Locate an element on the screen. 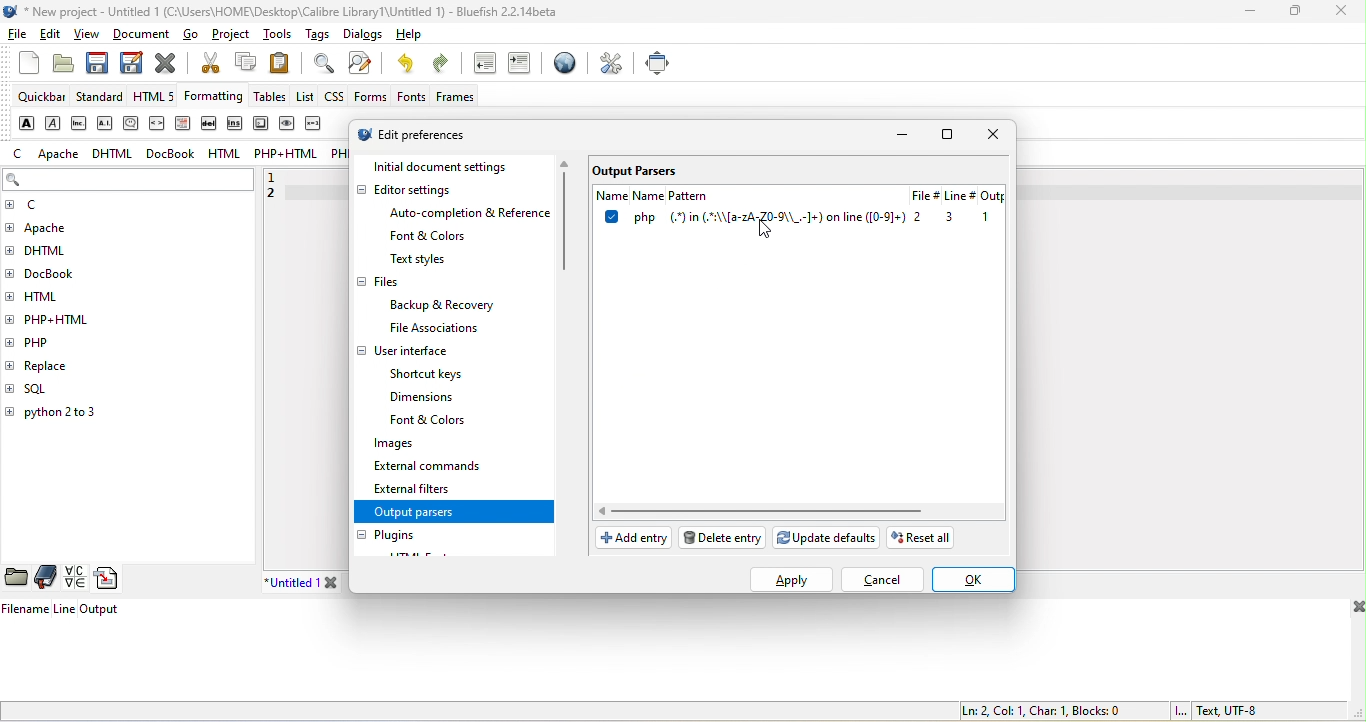  project is located at coordinates (233, 37).